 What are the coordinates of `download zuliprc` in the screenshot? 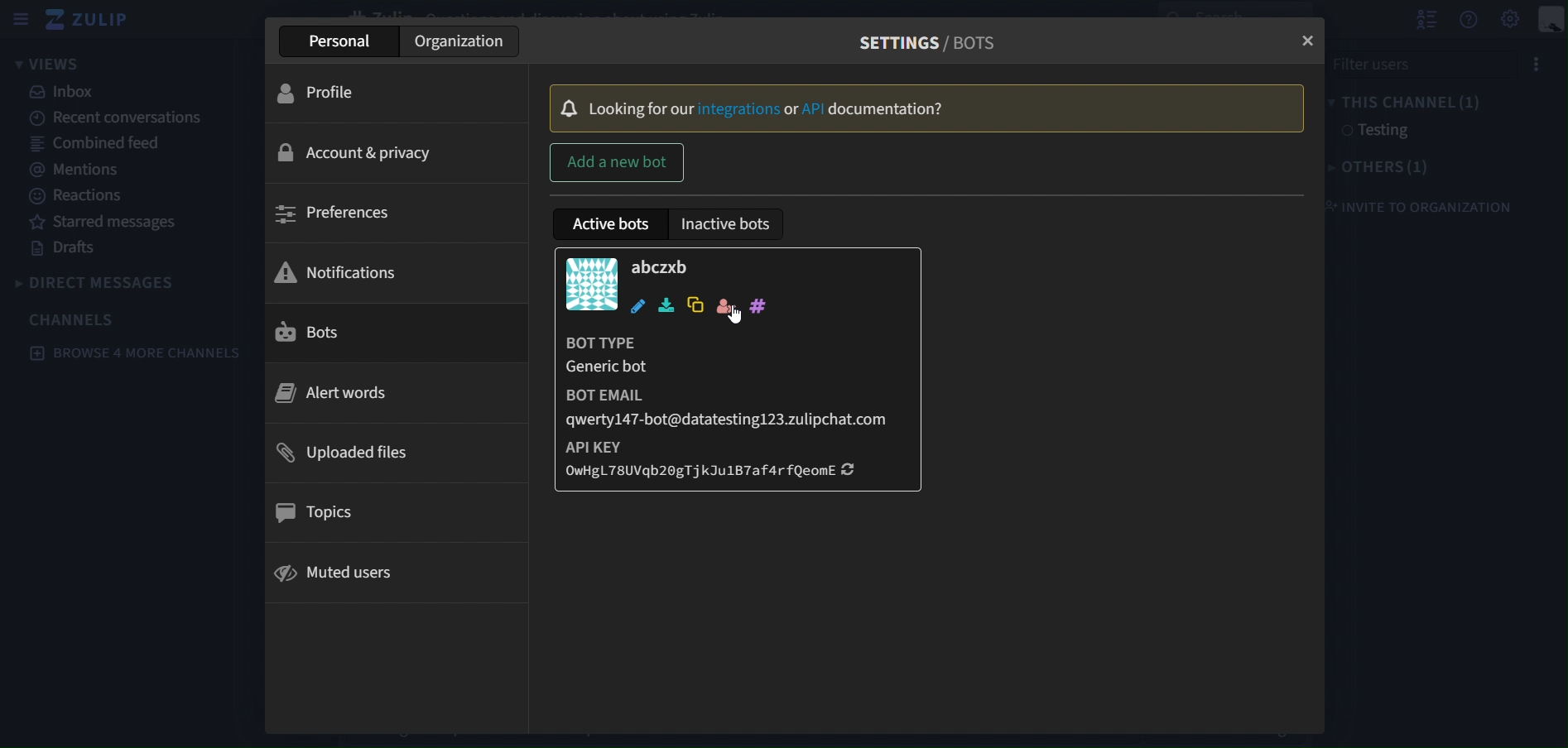 It's located at (667, 305).